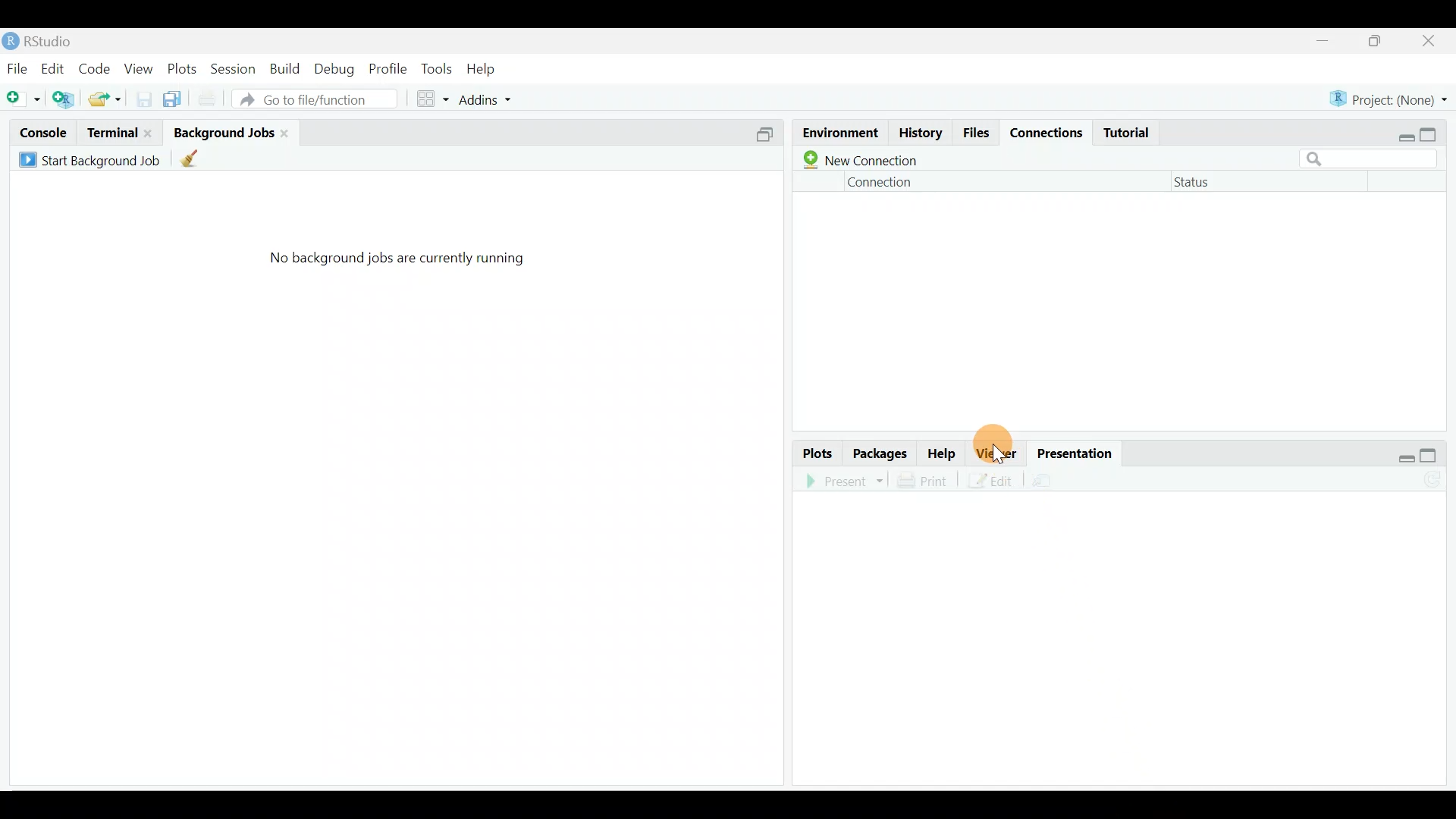  What do you see at coordinates (1374, 157) in the screenshot?
I see `Search bar` at bounding box center [1374, 157].